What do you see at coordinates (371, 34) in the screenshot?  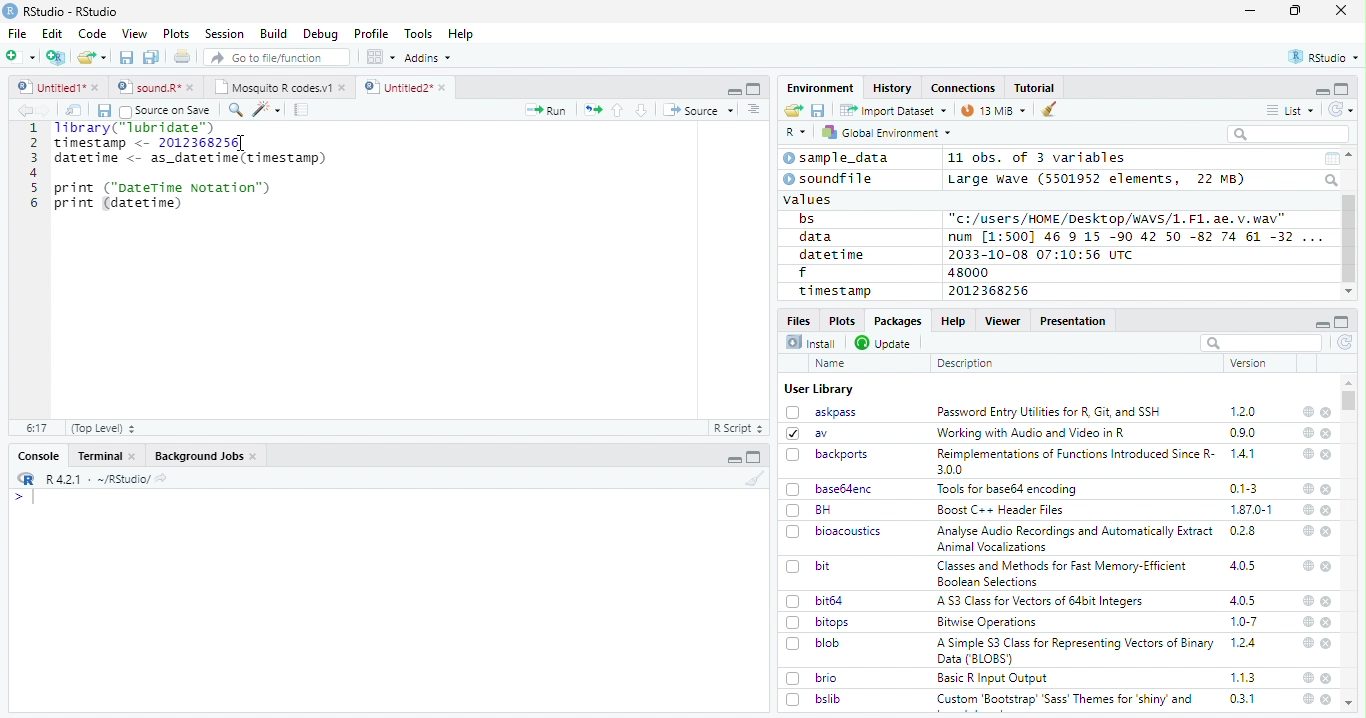 I see `Profile` at bounding box center [371, 34].